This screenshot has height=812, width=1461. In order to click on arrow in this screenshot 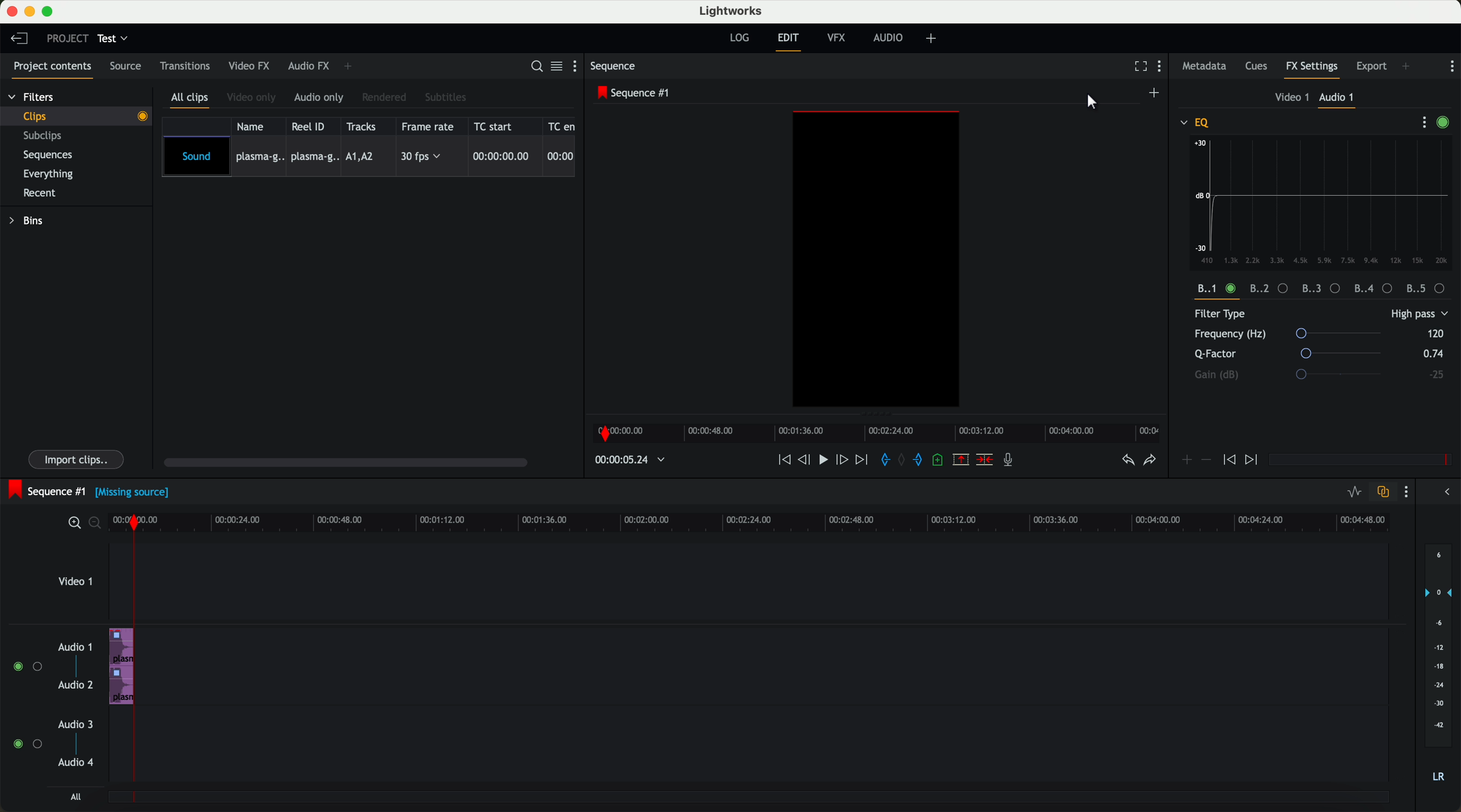, I will do `click(1443, 493)`.